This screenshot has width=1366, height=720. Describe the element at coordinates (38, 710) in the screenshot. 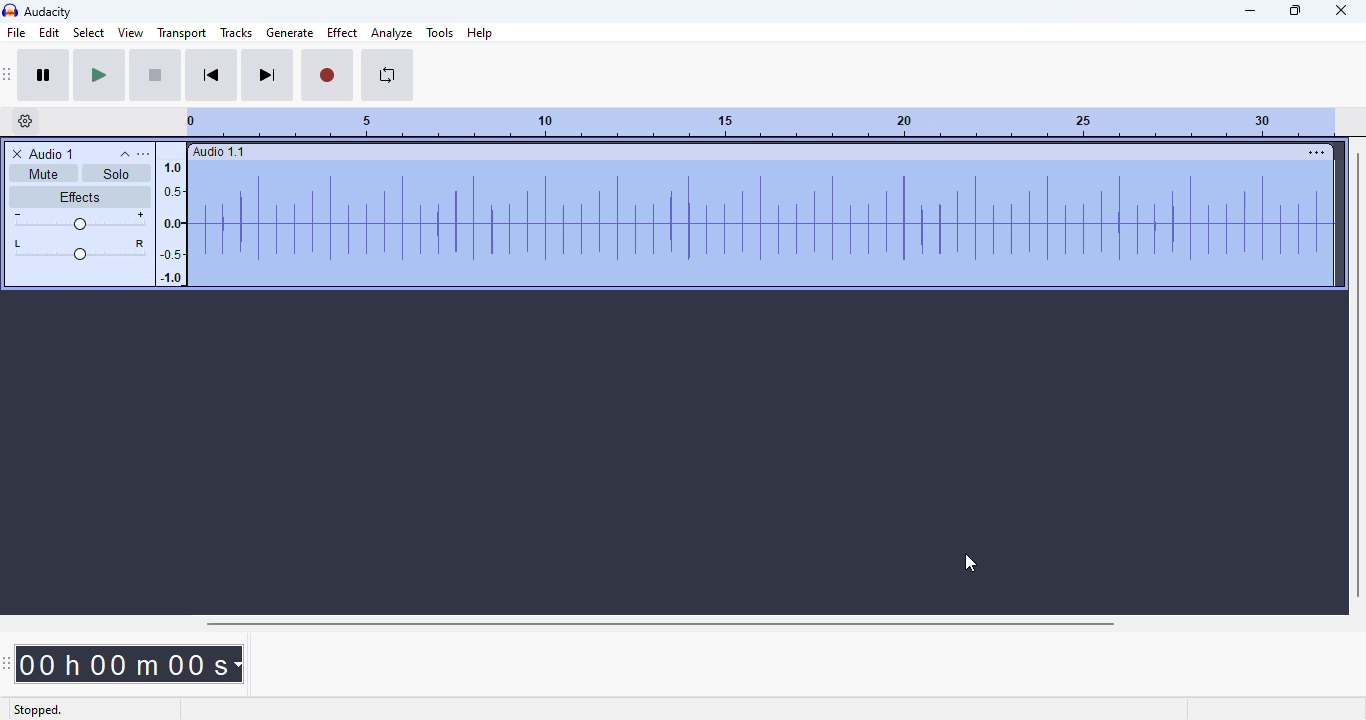

I see `stopped` at that location.